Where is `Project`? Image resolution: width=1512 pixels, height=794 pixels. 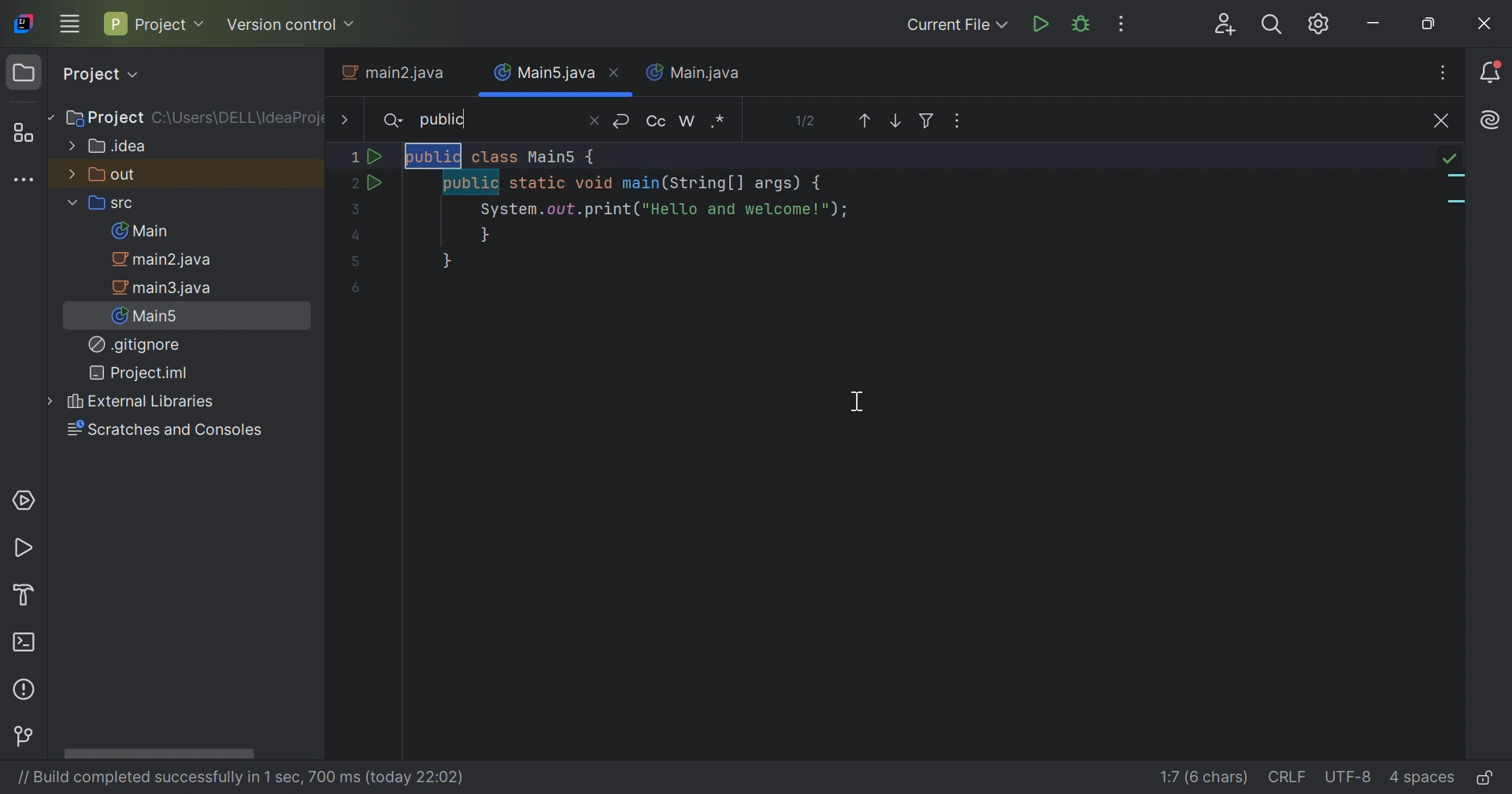
Project is located at coordinates (103, 119).